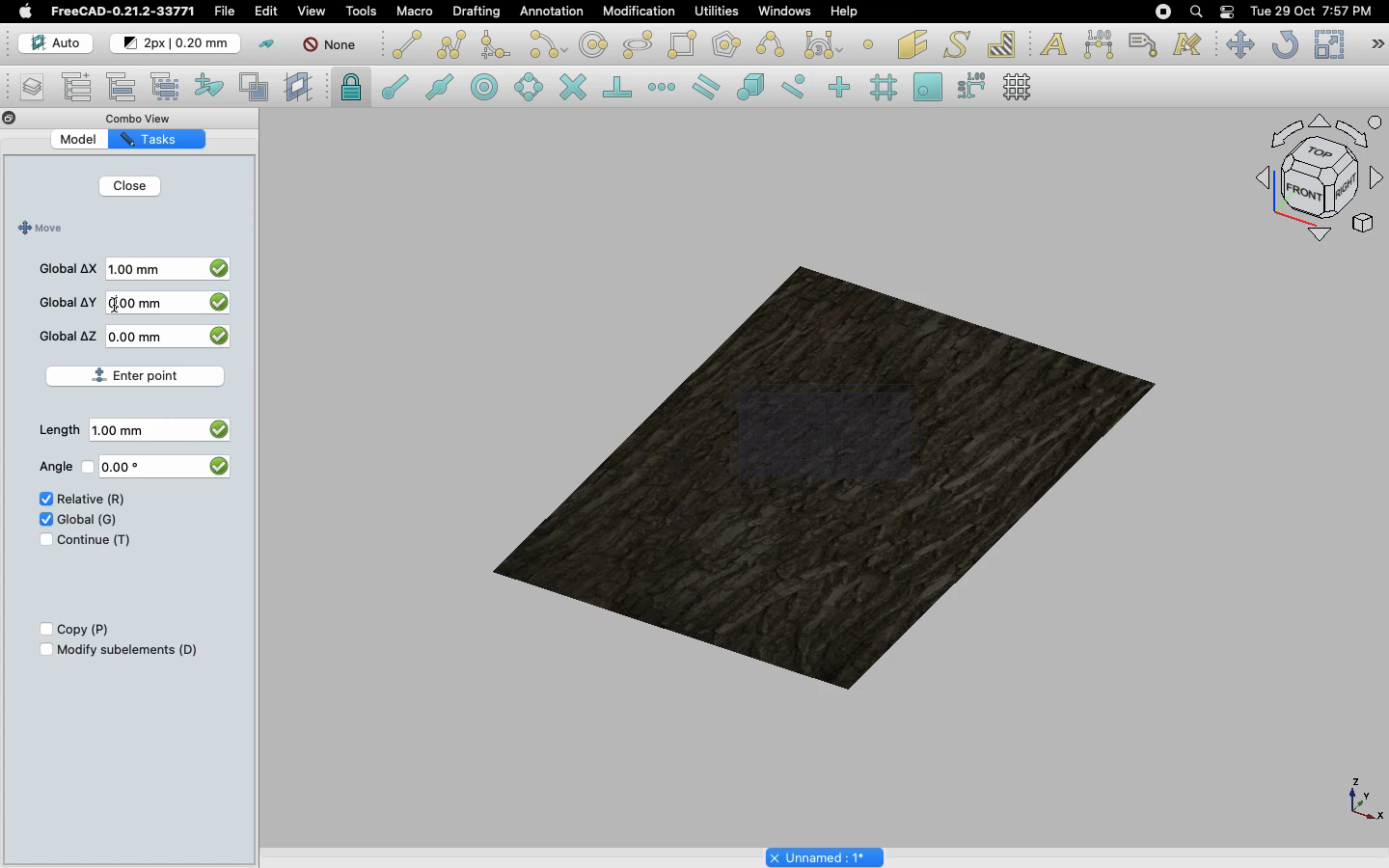 The height and width of the screenshot is (868, 1389). Describe the element at coordinates (1053, 45) in the screenshot. I see `Text` at that location.